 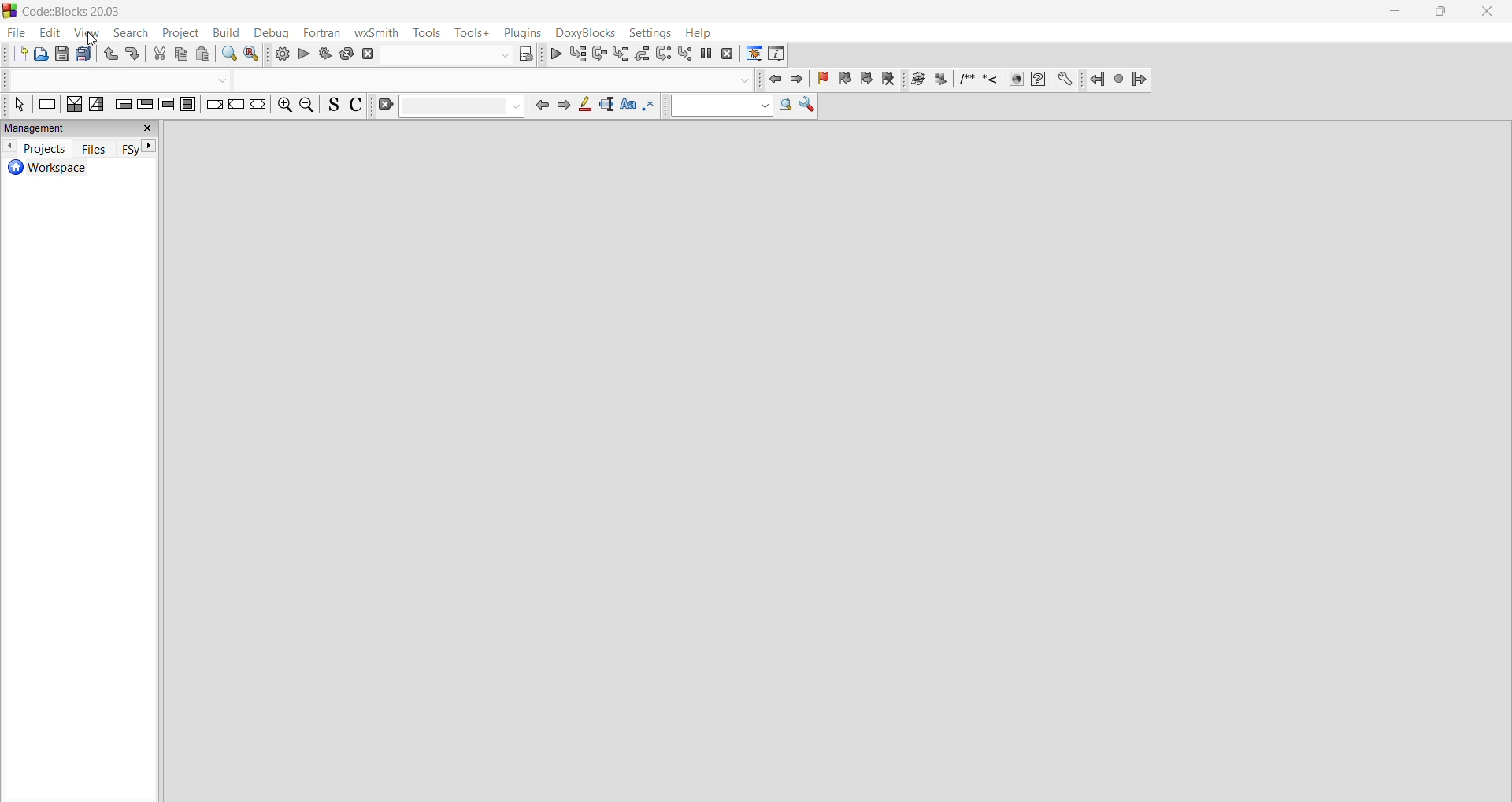 I want to click on show the select target dialog, so click(x=458, y=56).